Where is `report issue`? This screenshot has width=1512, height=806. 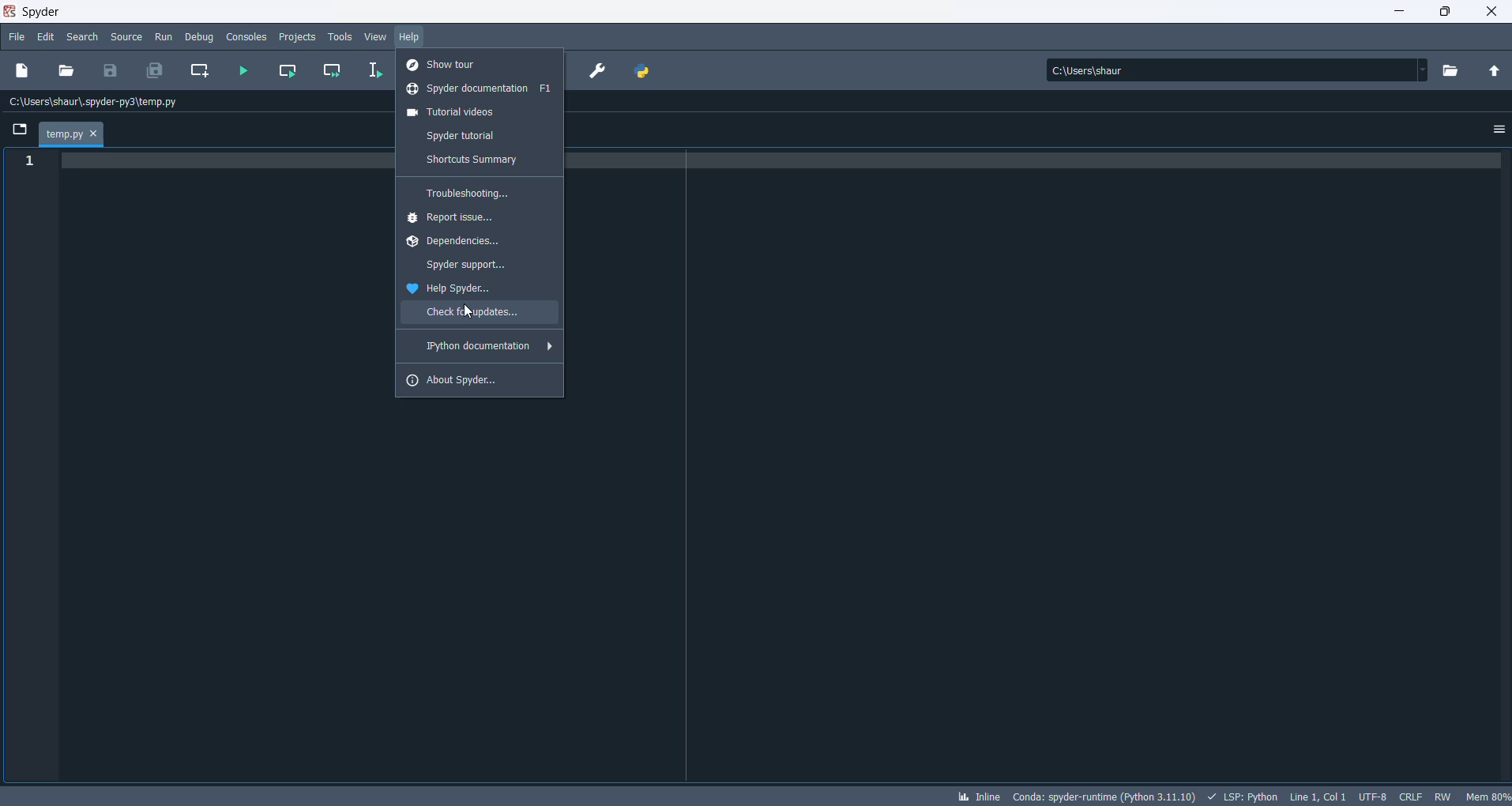 report issue is located at coordinates (482, 219).